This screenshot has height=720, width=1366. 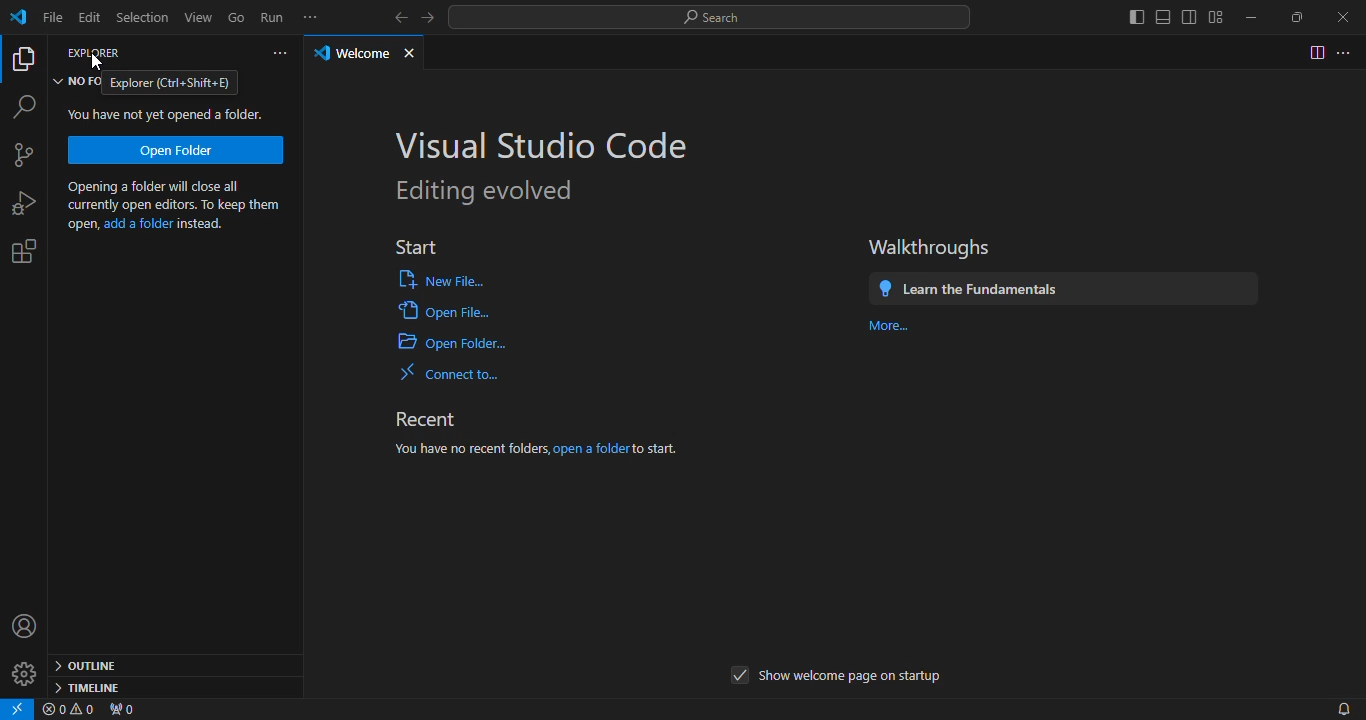 I want to click on Open Folder, so click(x=176, y=150).